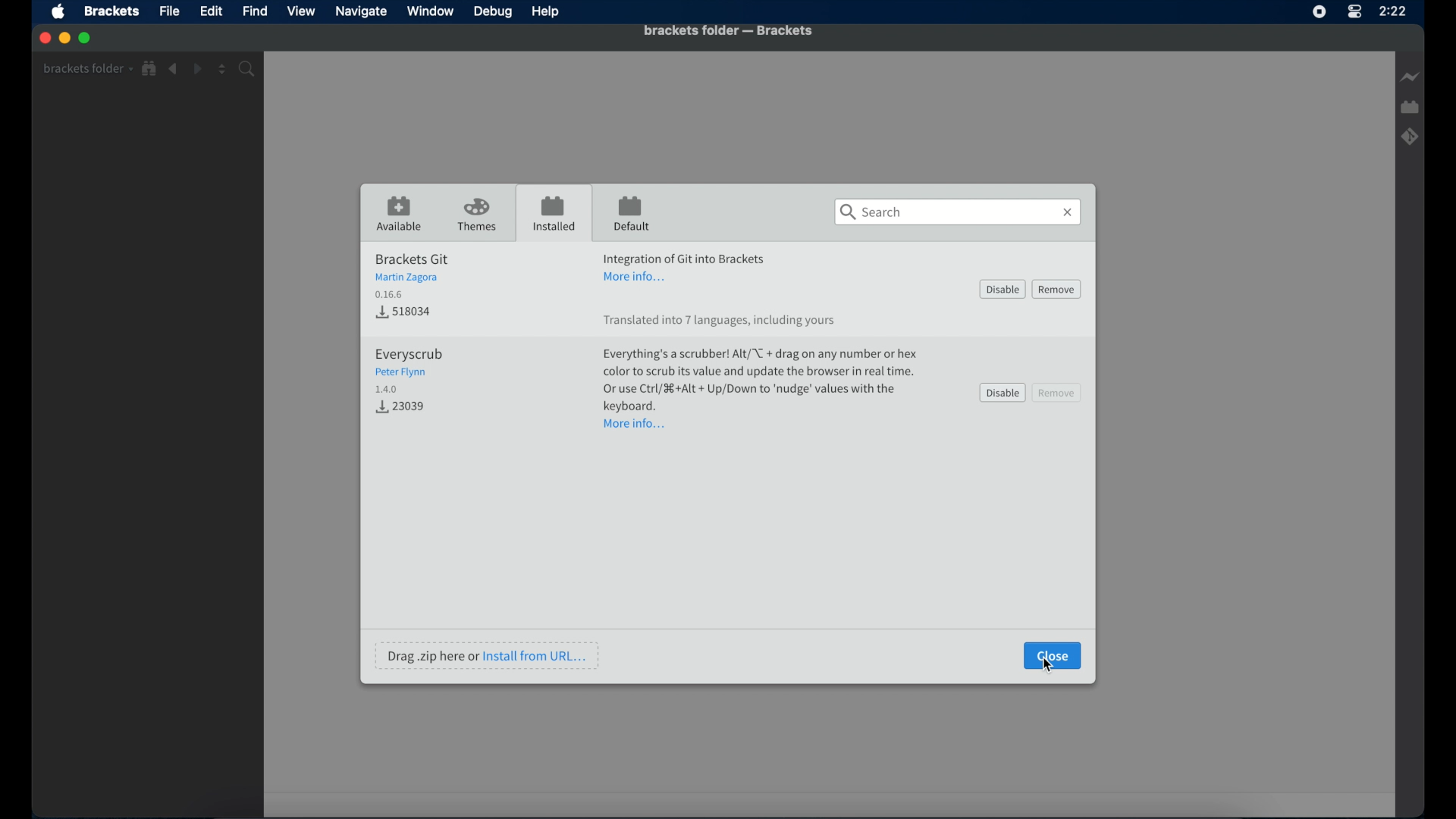 This screenshot has width=1456, height=819. I want to click on default, so click(632, 215).